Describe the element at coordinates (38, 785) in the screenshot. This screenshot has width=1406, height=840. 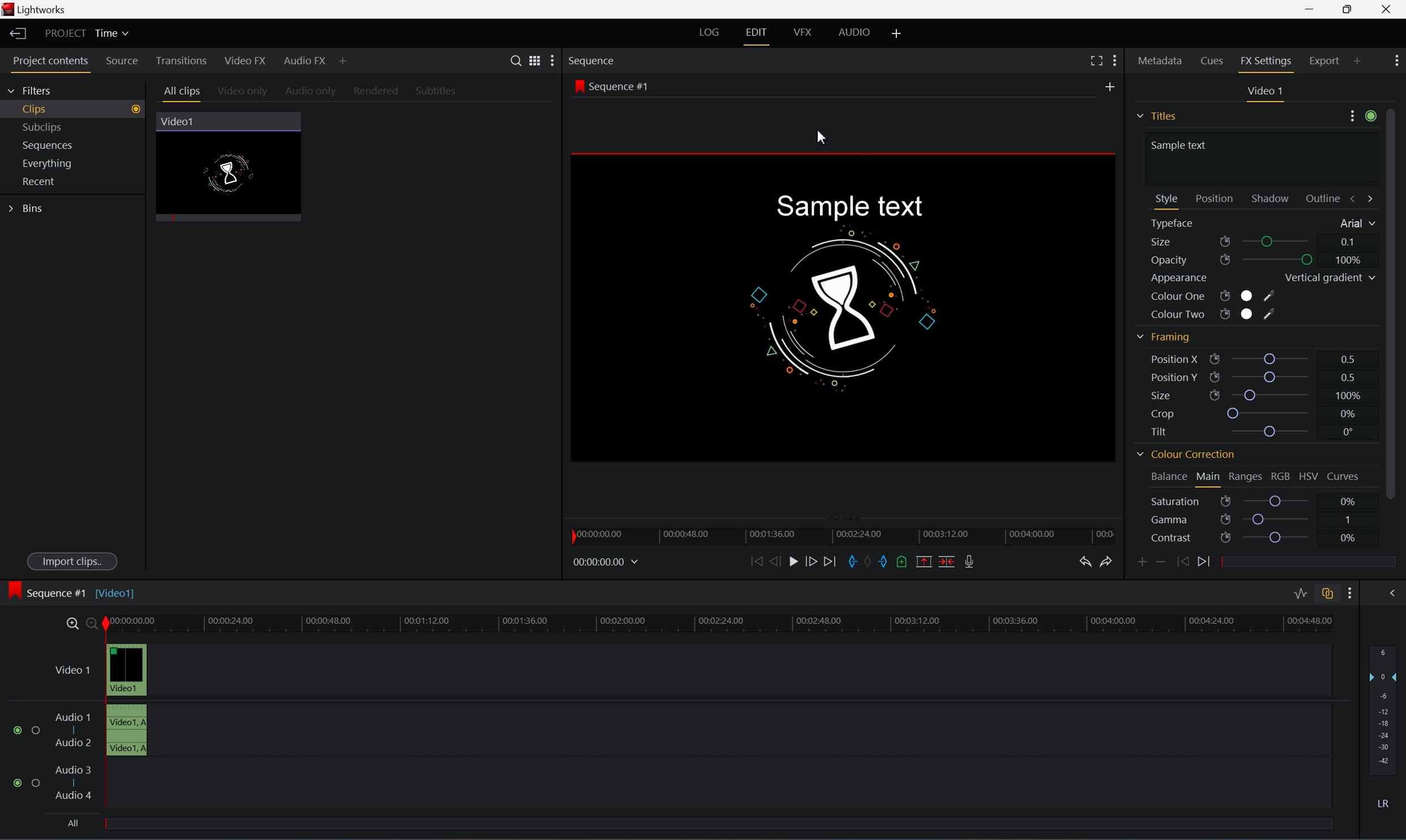
I see `checkbox` at that location.